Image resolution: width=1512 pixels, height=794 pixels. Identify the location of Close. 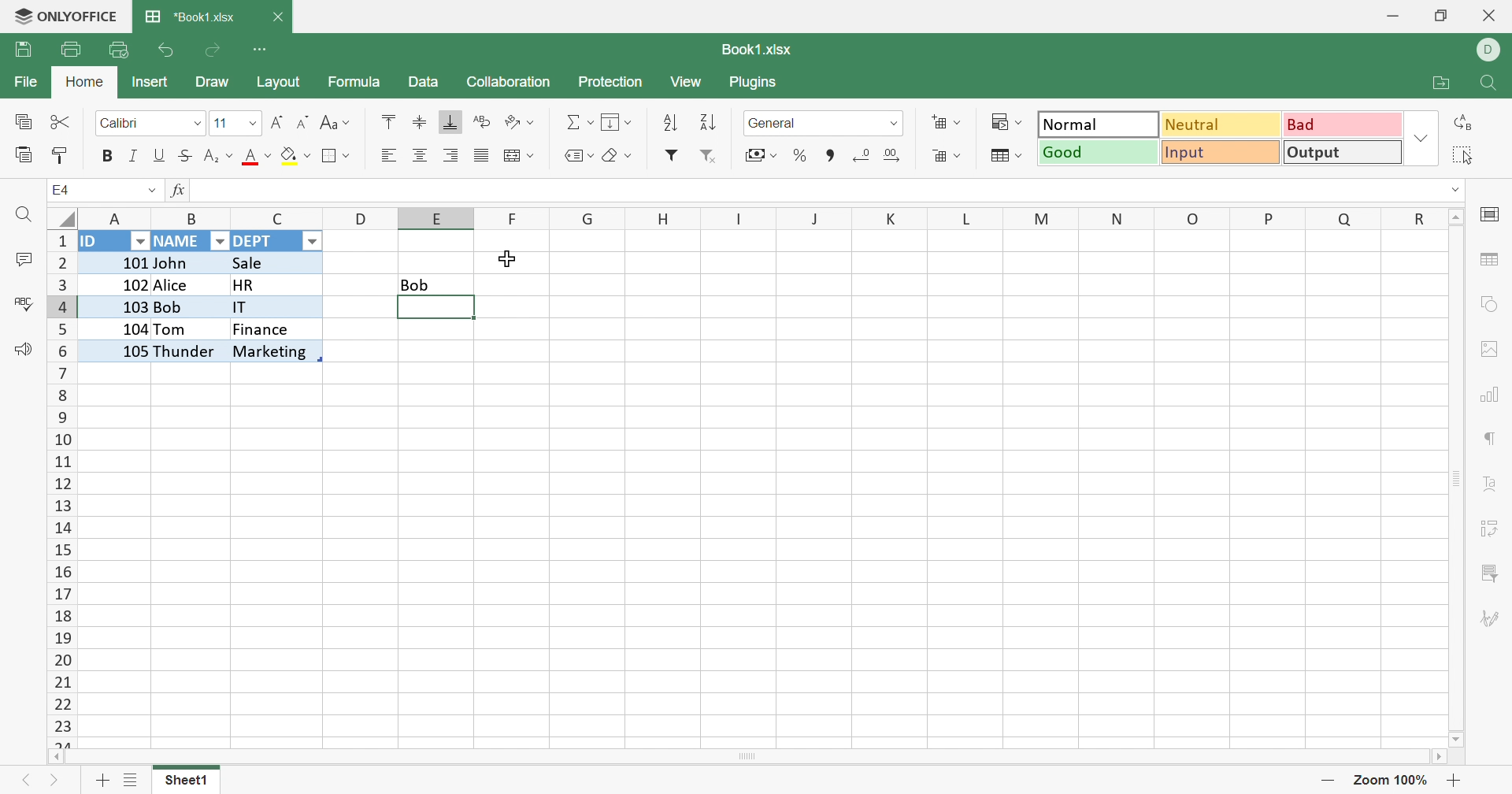
(280, 15).